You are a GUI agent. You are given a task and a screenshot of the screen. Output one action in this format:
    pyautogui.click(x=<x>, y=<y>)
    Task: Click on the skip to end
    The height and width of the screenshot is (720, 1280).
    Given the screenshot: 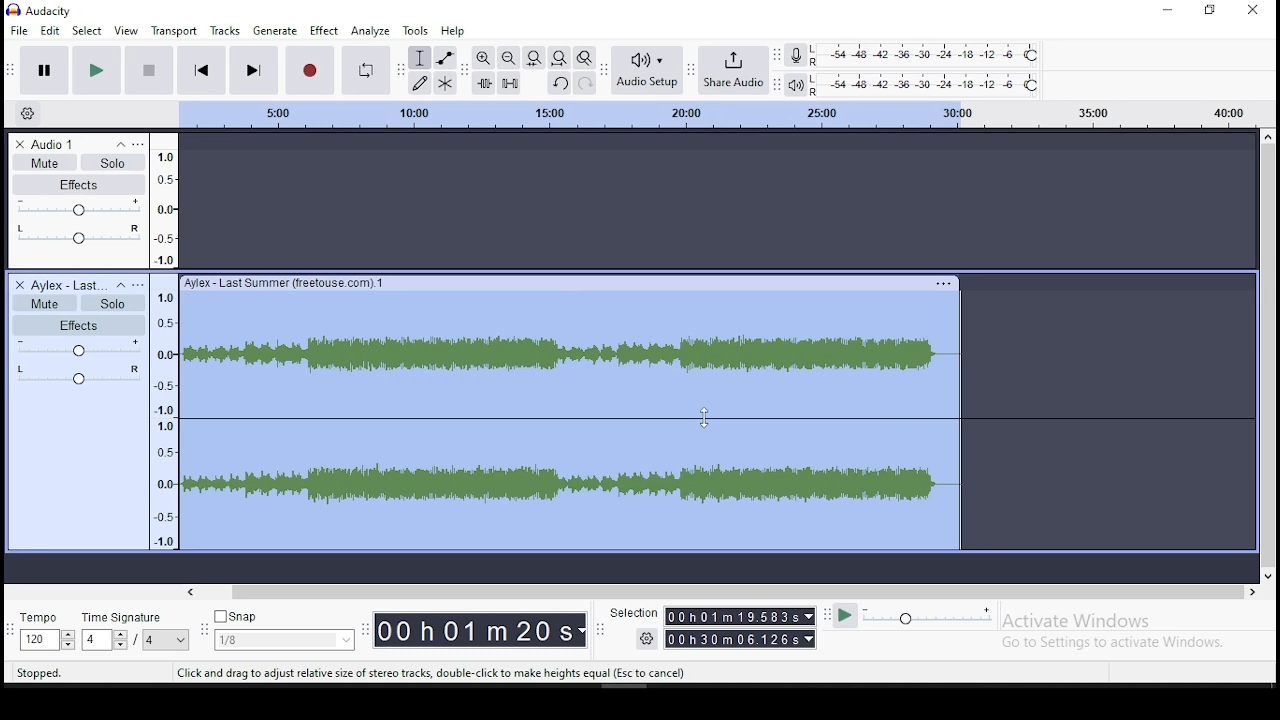 What is the action you would take?
    pyautogui.click(x=254, y=69)
    